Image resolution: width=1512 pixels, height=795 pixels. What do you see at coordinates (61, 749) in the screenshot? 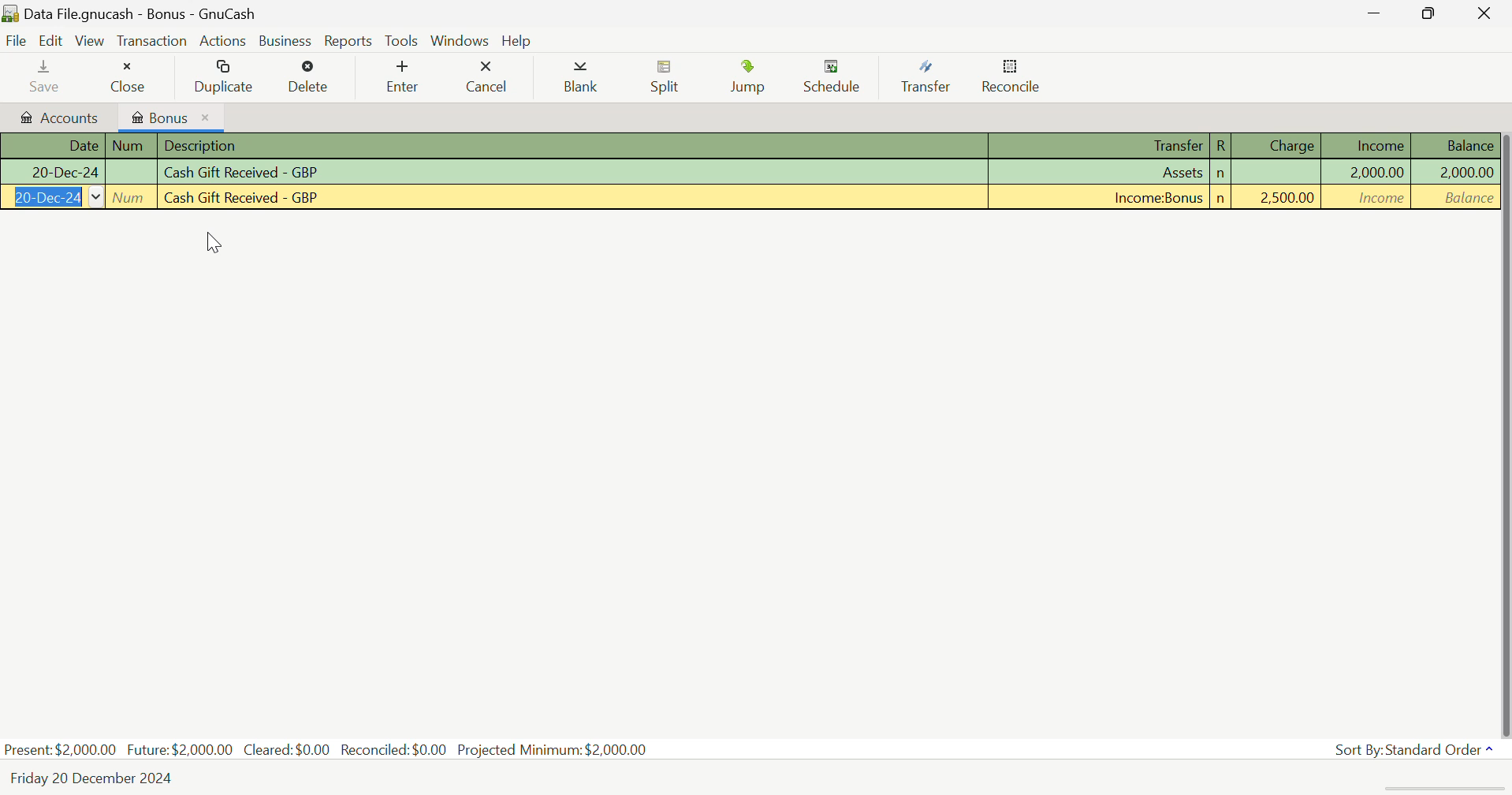
I see `Present` at bounding box center [61, 749].